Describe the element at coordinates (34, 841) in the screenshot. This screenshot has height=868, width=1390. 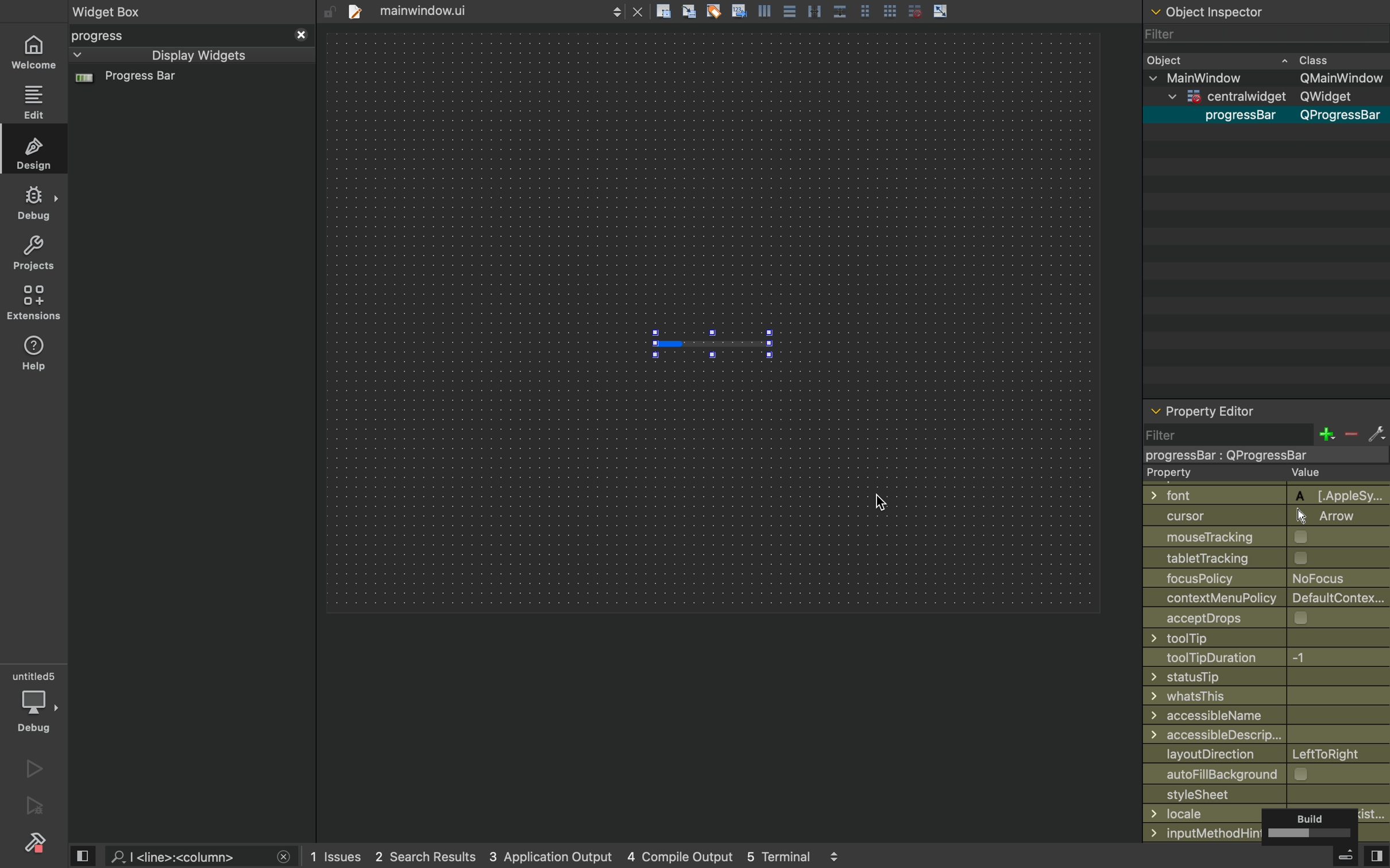
I see `Settings ` at that location.